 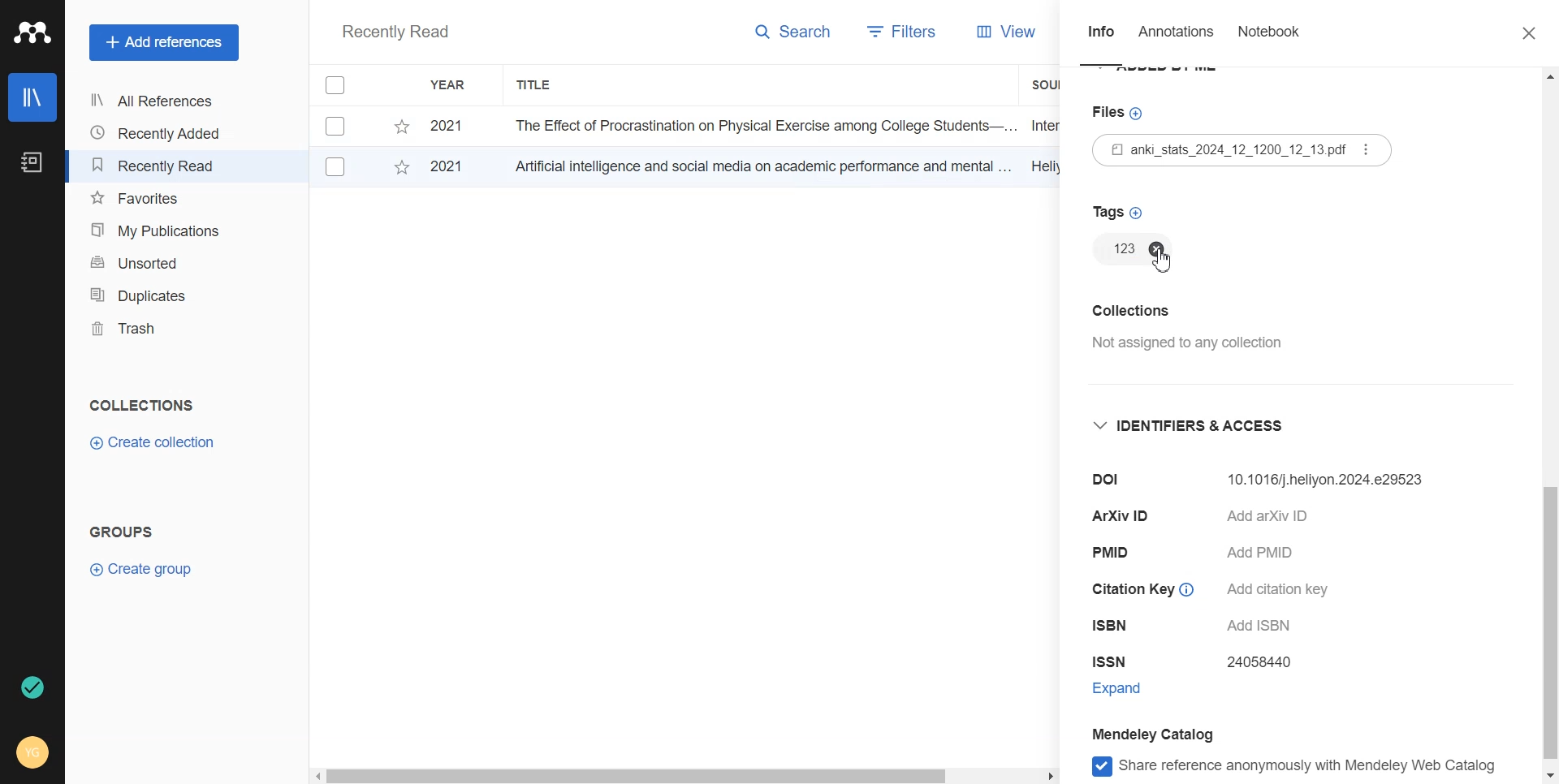 What do you see at coordinates (30, 163) in the screenshot?
I see `Notebook` at bounding box center [30, 163].